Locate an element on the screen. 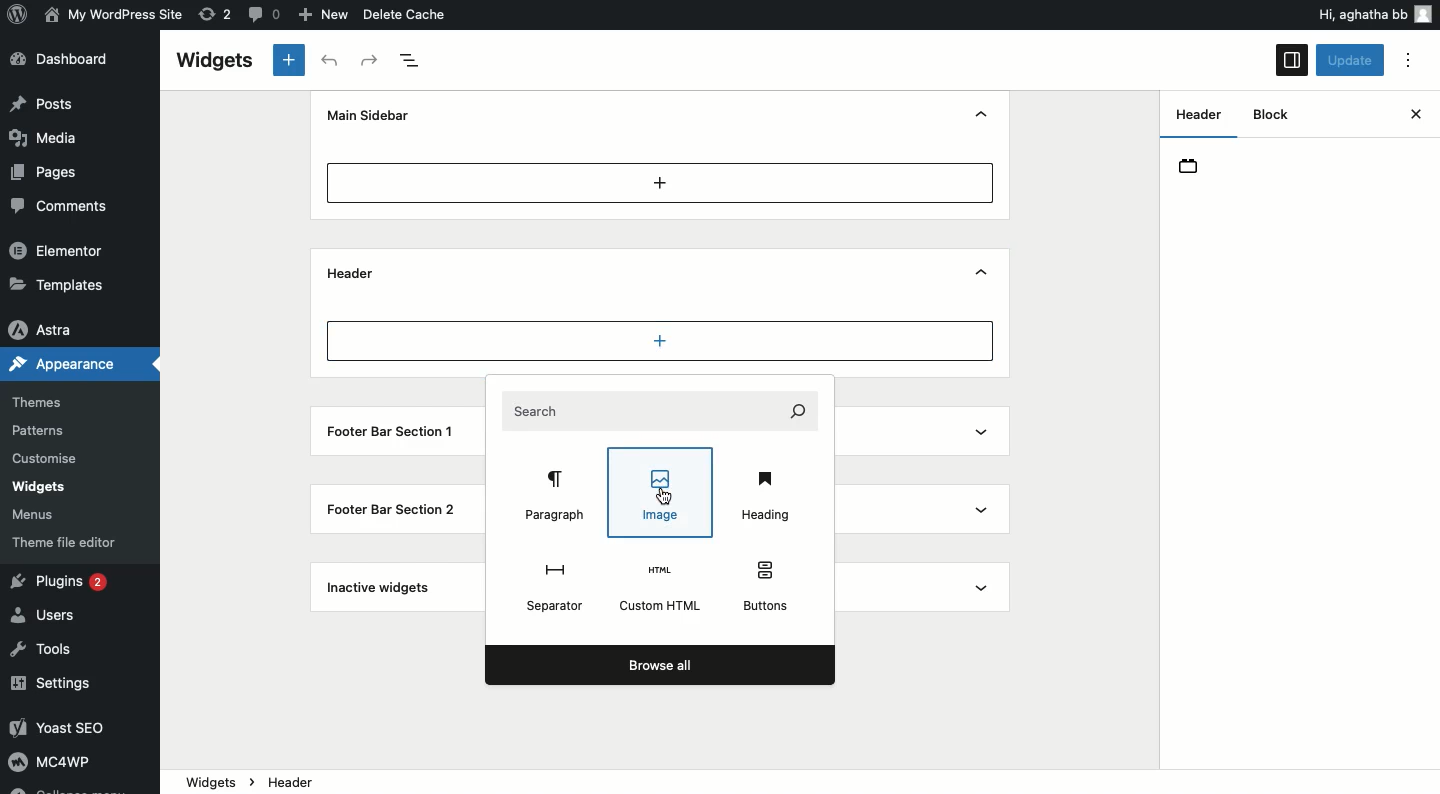  Theme file editor is located at coordinates (69, 542).